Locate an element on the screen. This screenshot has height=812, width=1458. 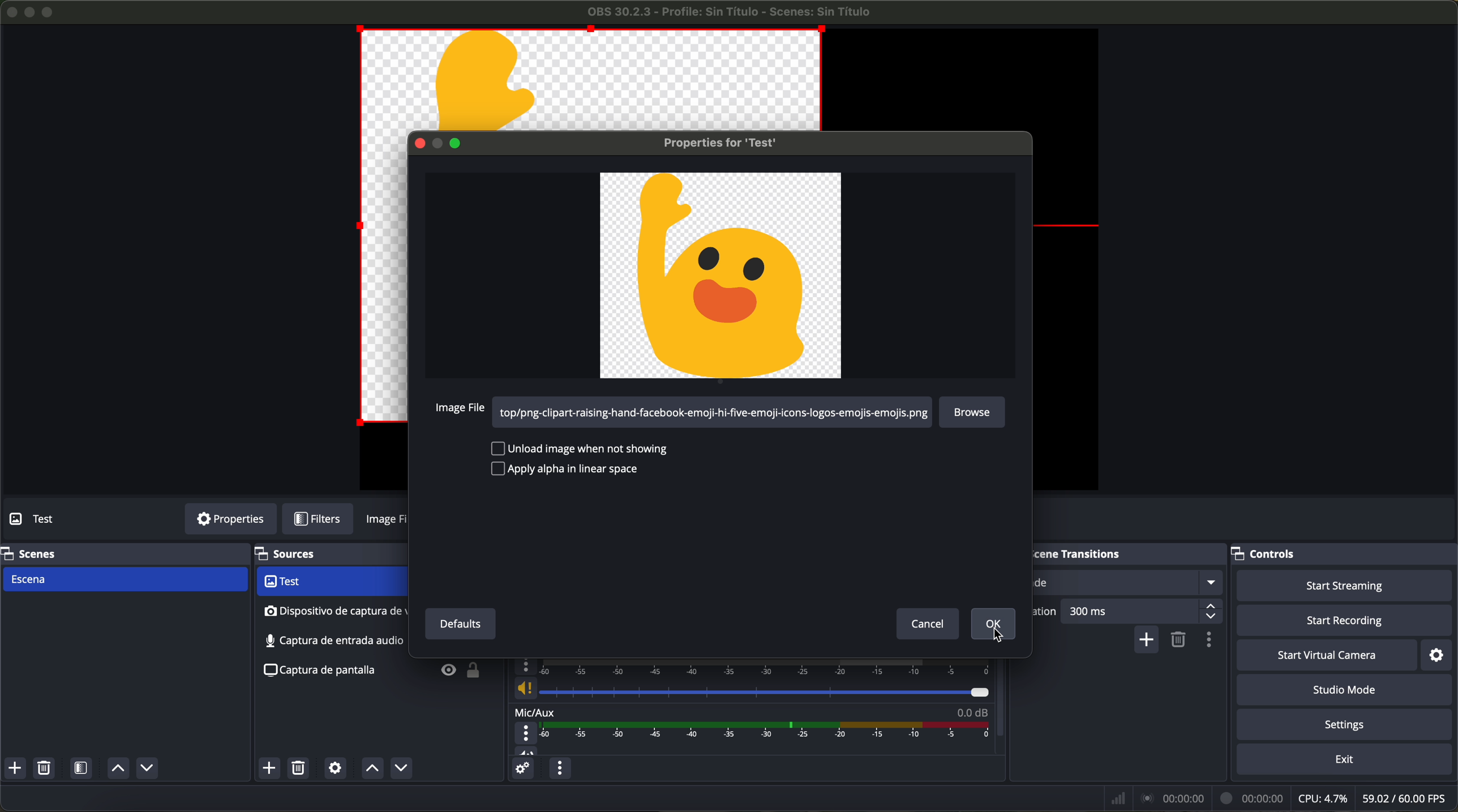
close is located at coordinates (422, 144).